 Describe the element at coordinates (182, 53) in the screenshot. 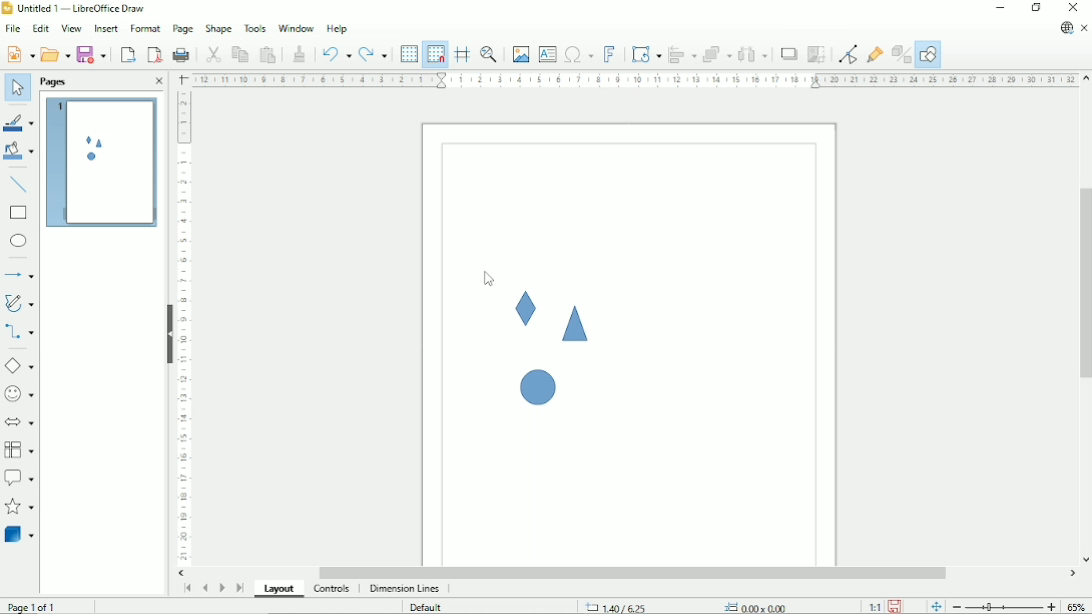

I see `Print` at that location.